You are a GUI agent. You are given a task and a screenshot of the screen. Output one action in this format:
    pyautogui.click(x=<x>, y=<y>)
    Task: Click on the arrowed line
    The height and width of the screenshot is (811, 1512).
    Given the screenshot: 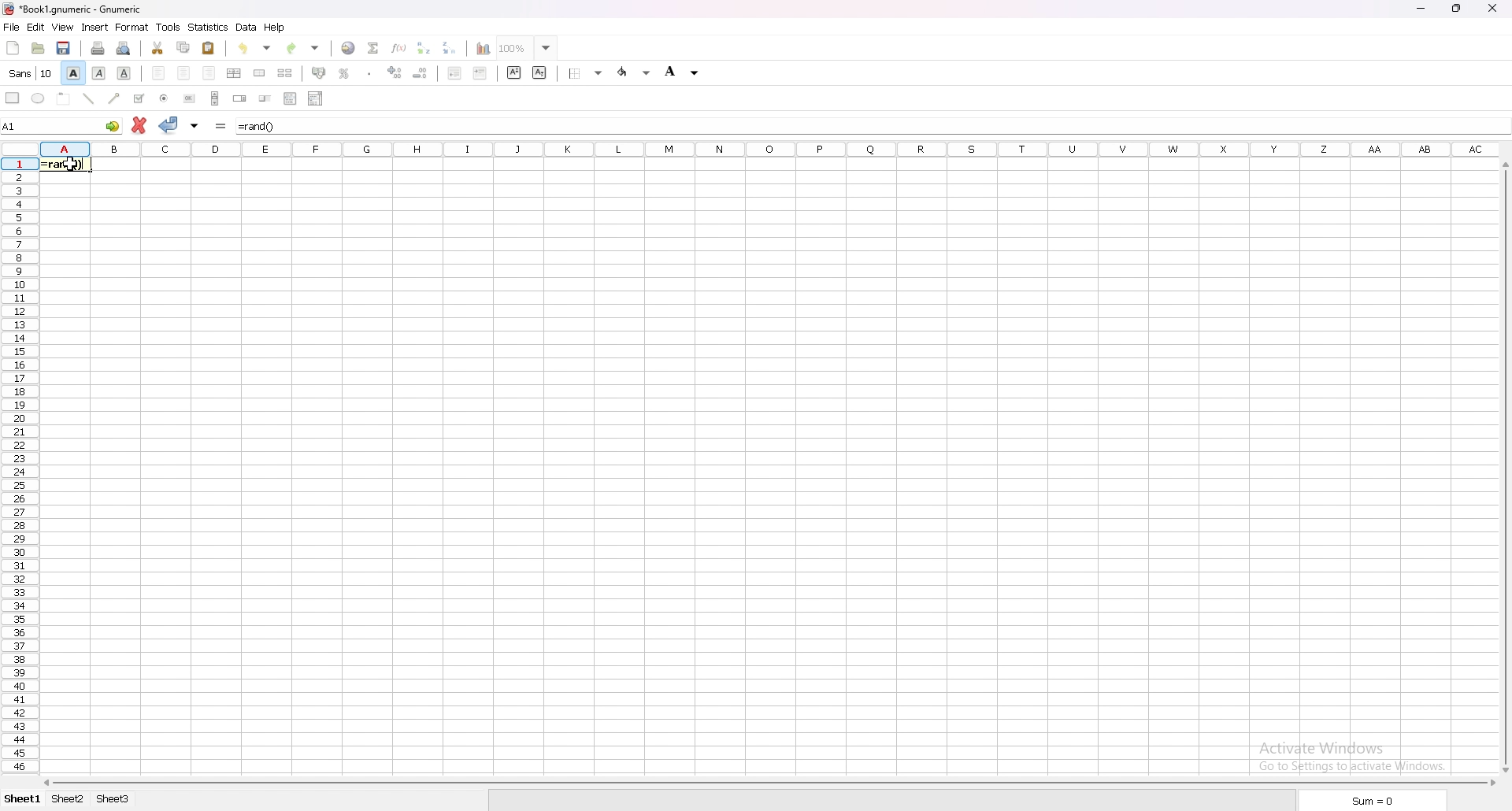 What is the action you would take?
    pyautogui.click(x=115, y=98)
    